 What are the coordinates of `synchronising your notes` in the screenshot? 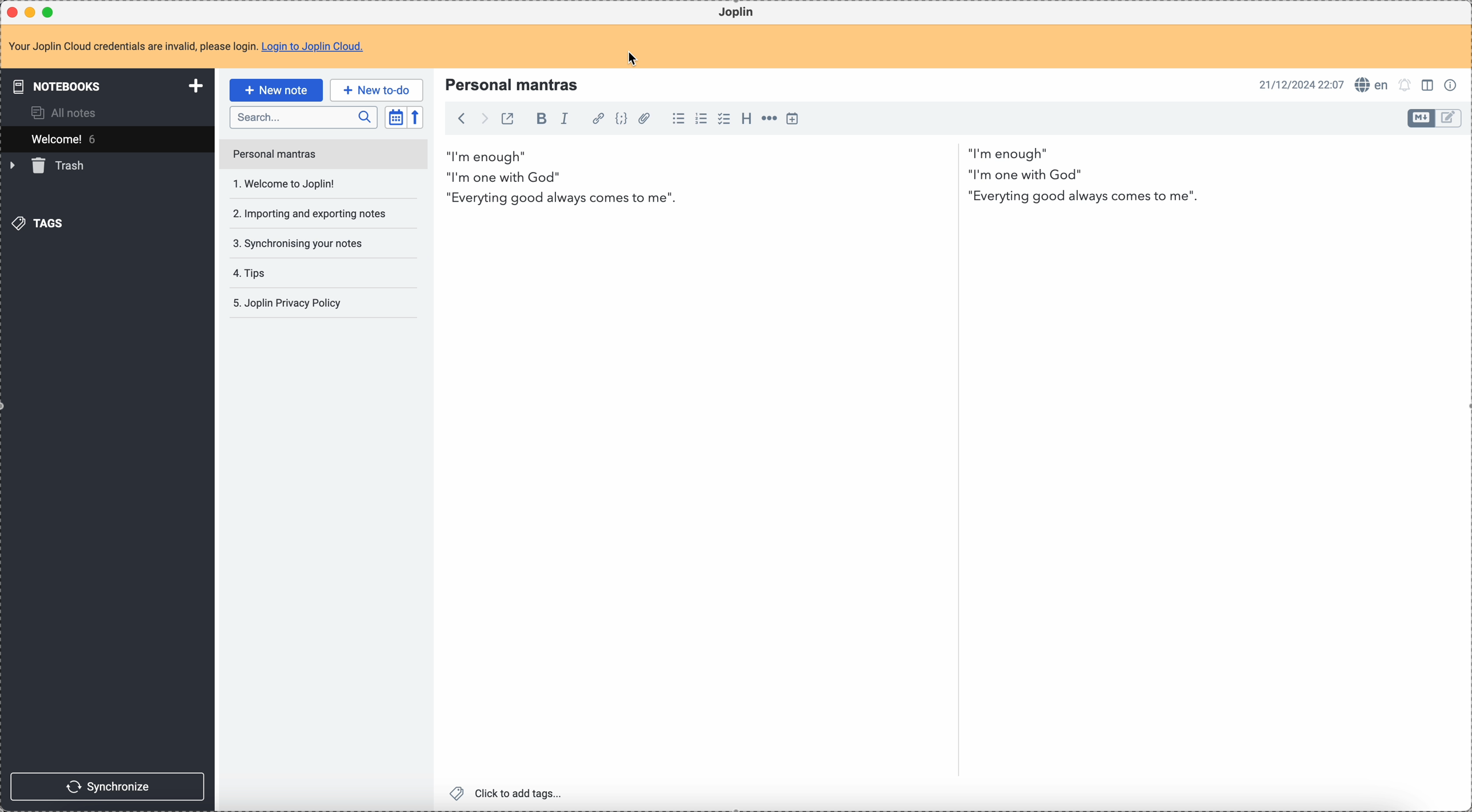 It's located at (303, 243).